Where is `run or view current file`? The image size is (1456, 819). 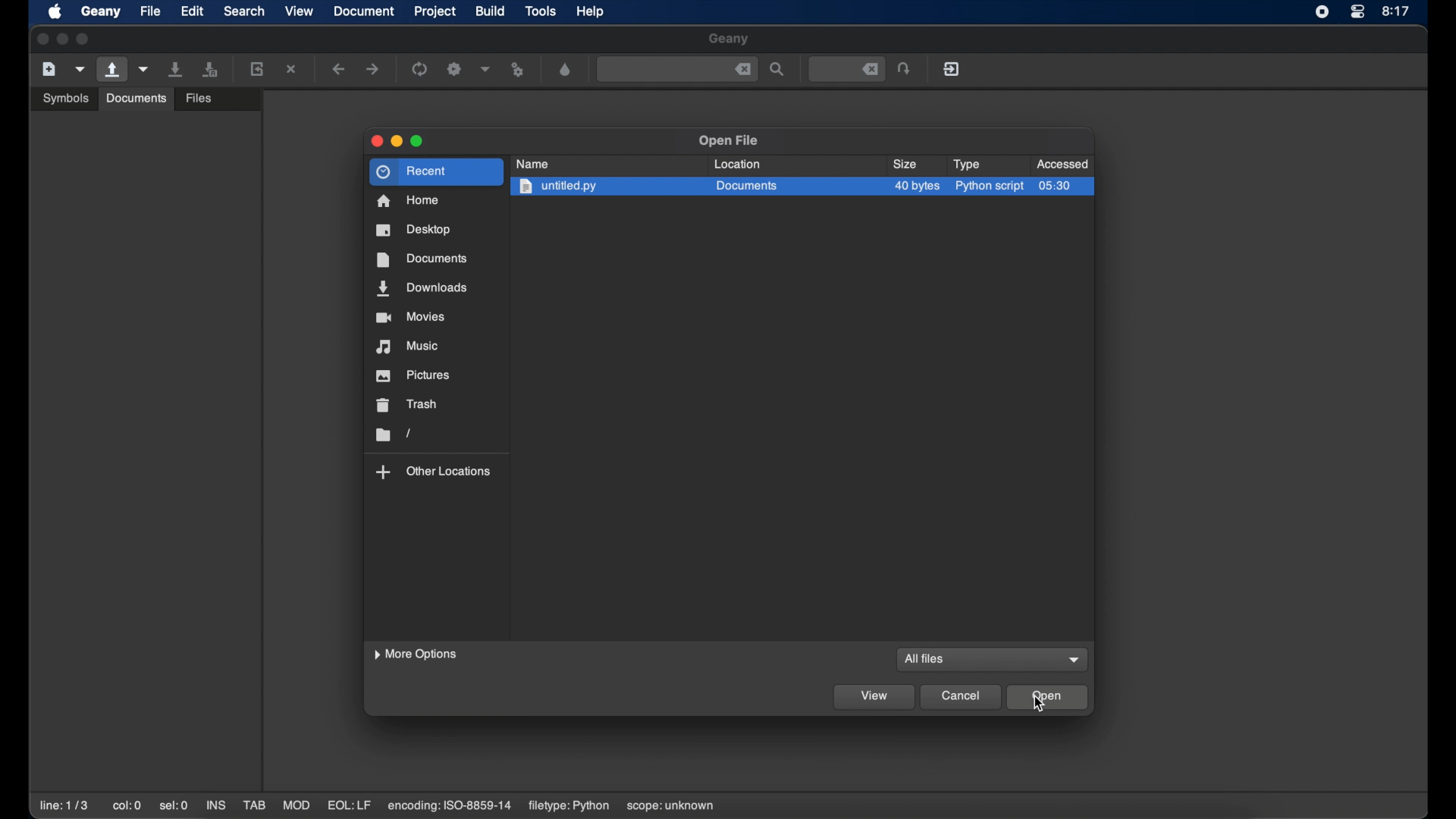
run or view current file is located at coordinates (519, 70).